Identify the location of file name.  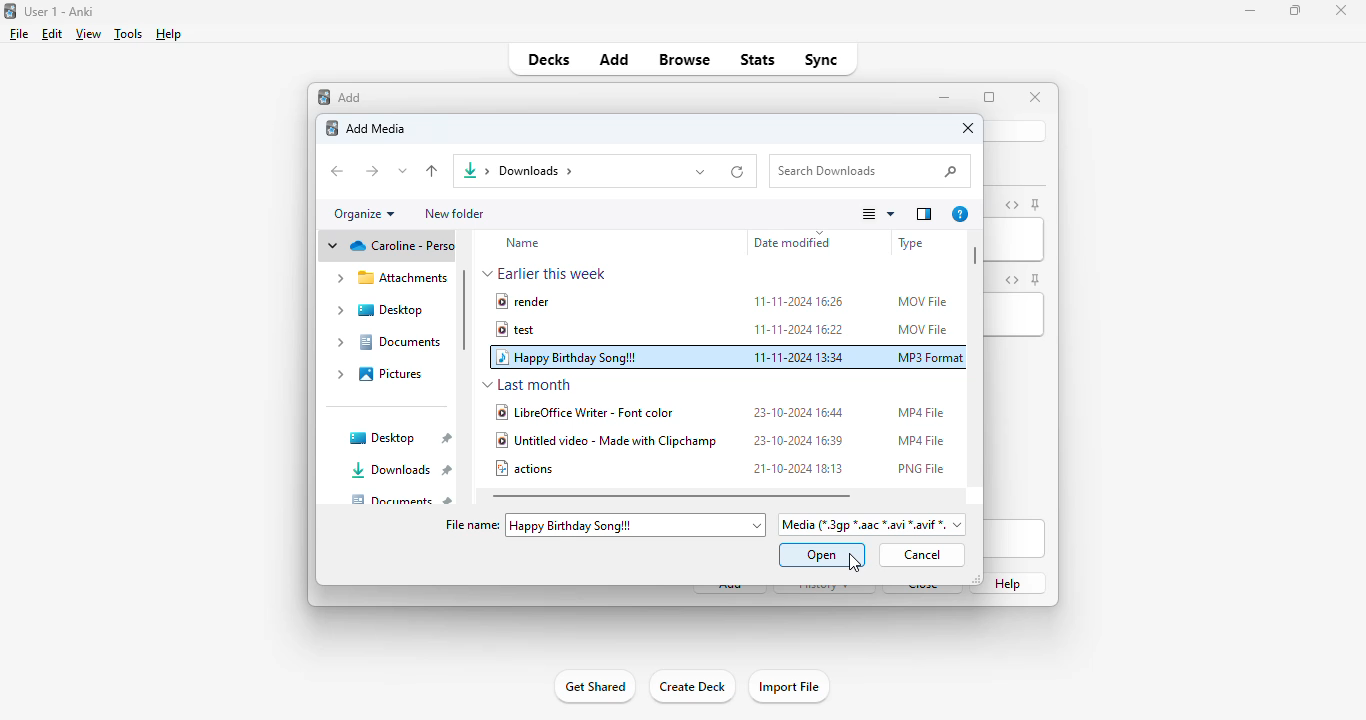
(471, 525).